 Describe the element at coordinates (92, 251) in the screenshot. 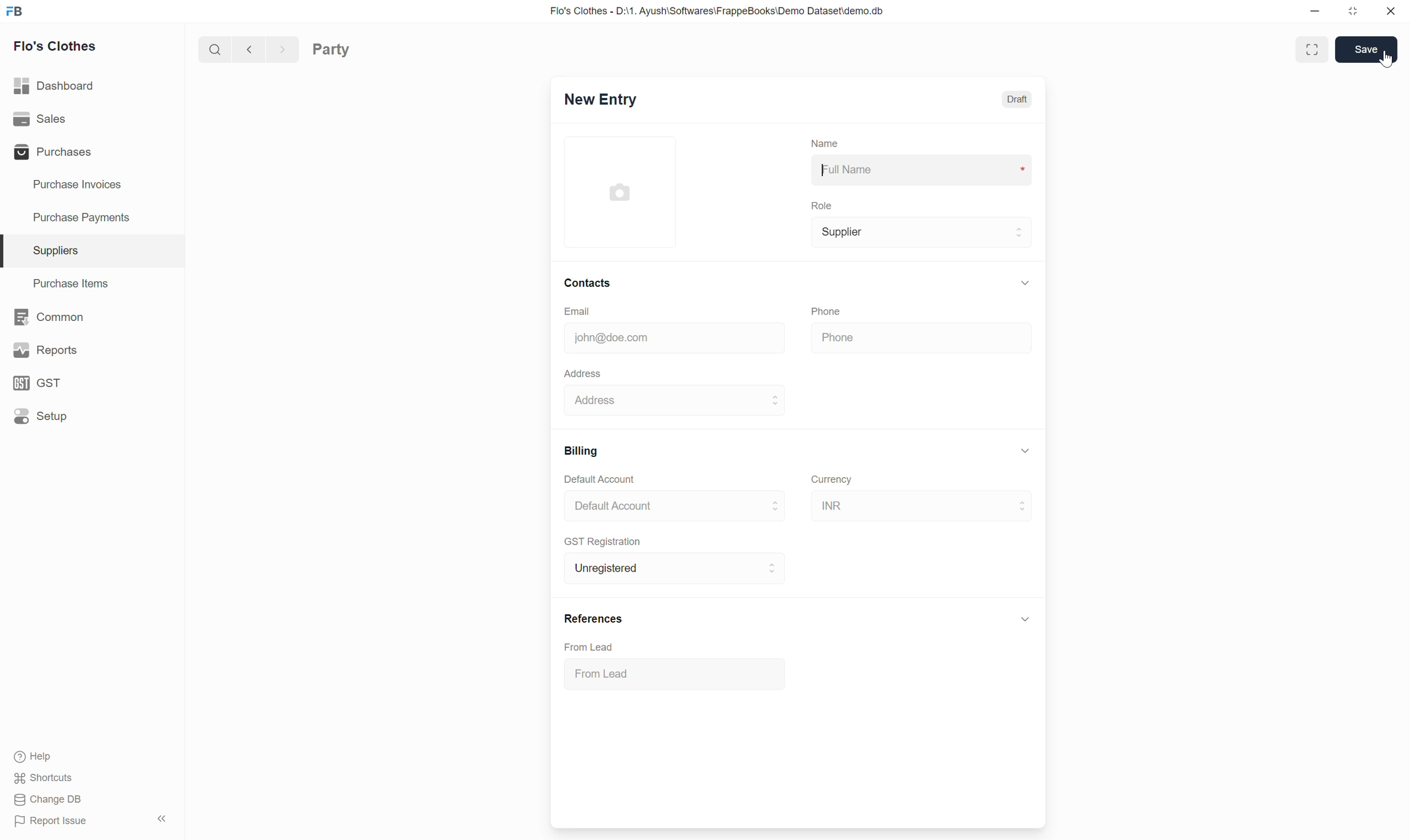

I see `Suppliers` at that location.